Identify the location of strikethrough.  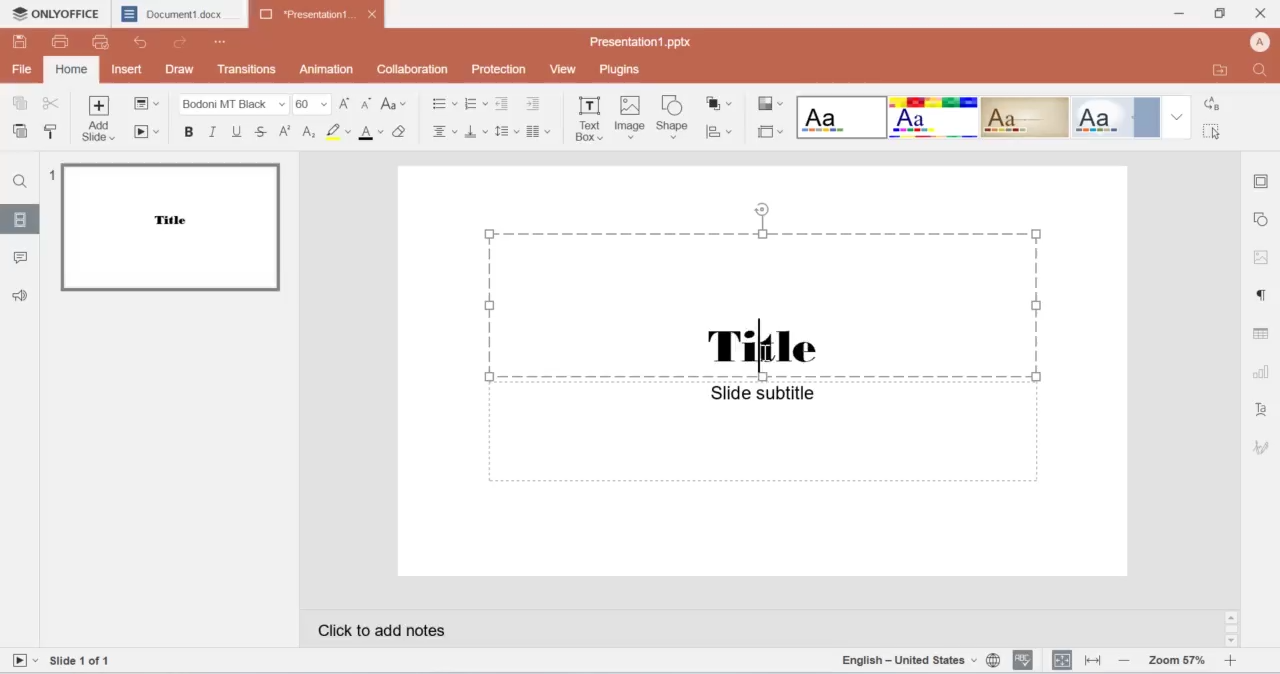
(261, 130).